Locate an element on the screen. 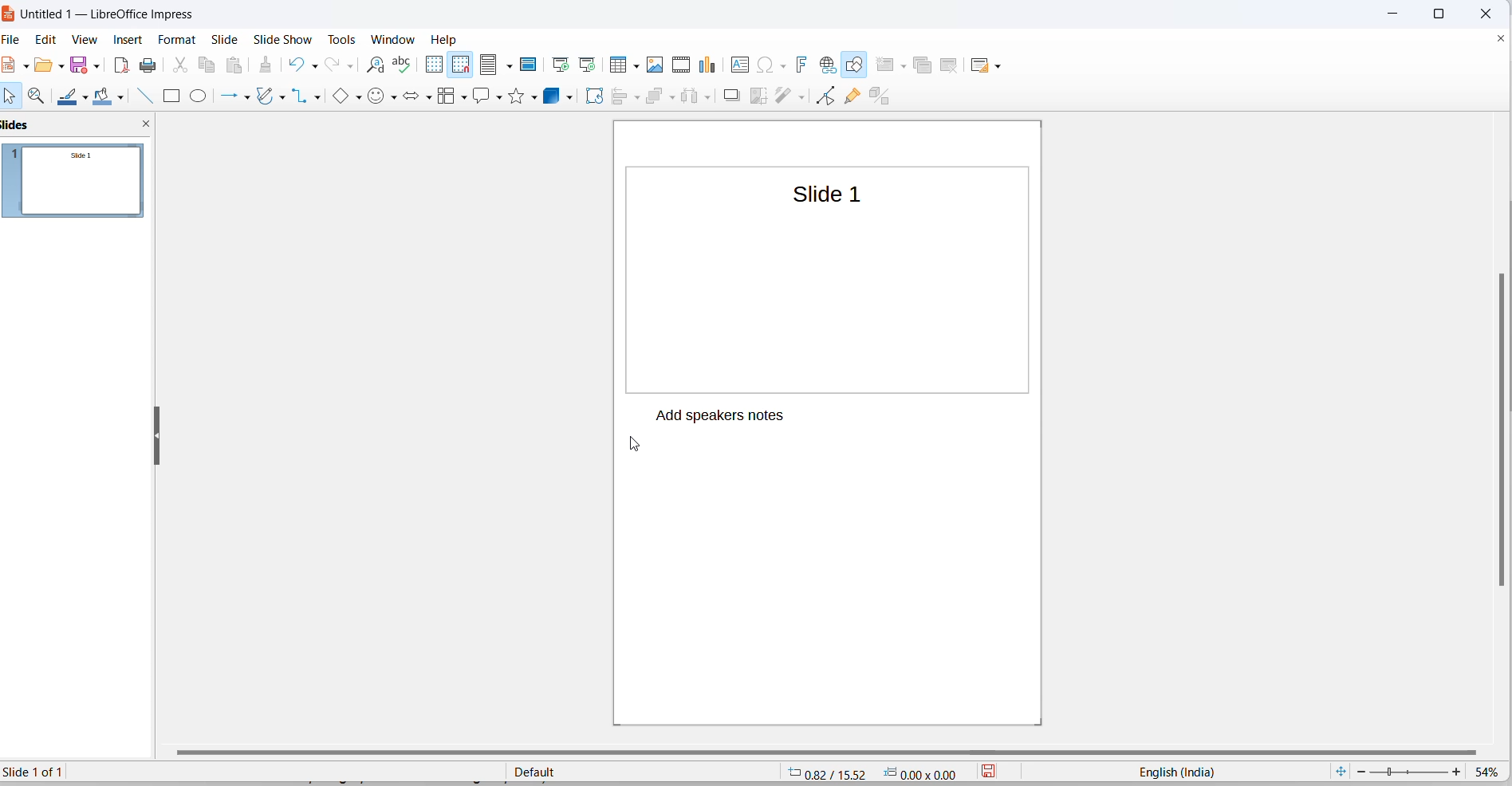  new slide is located at coordinates (884, 64).